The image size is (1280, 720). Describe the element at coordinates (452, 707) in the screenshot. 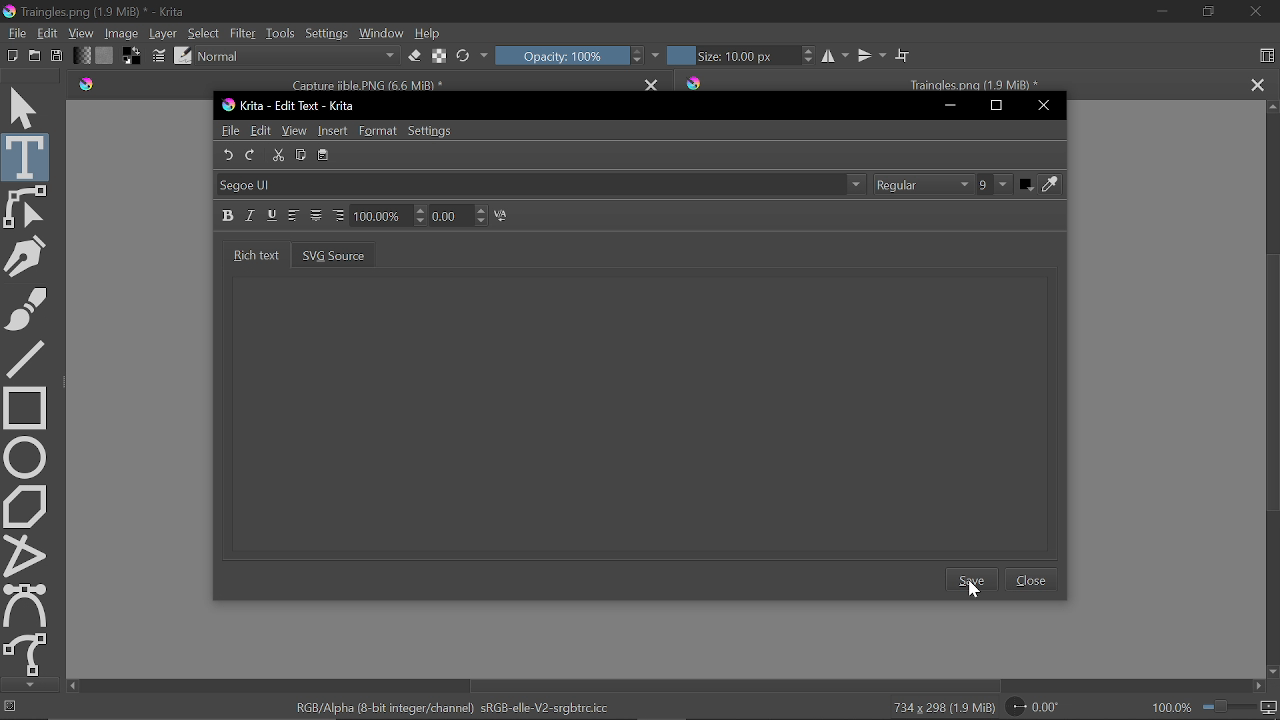

I see `RGB/Alpha (8-bit integer/channel) sRGB-elle-V2-srgbtrc.icc` at that location.